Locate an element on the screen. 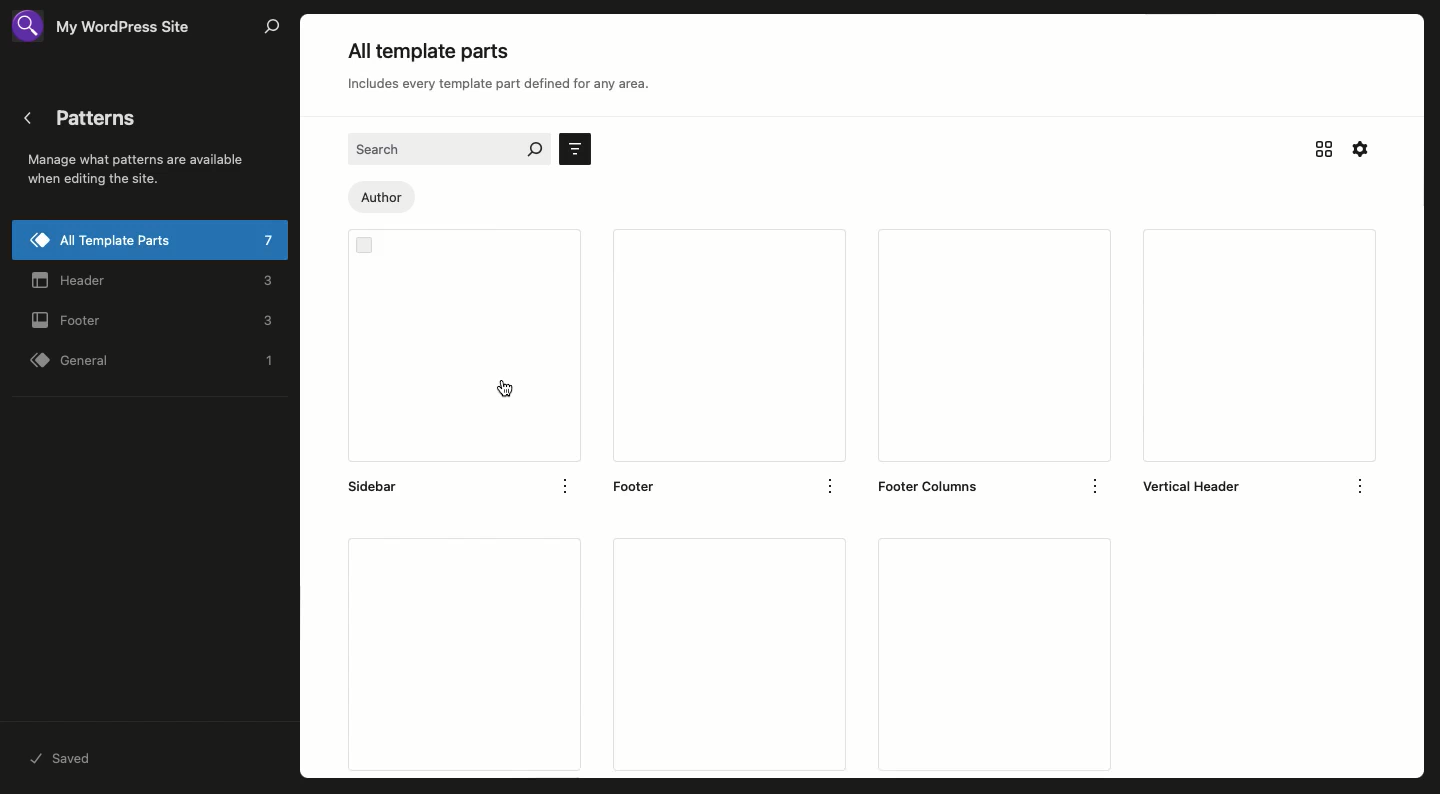  options is located at coordinates (1363, 487).